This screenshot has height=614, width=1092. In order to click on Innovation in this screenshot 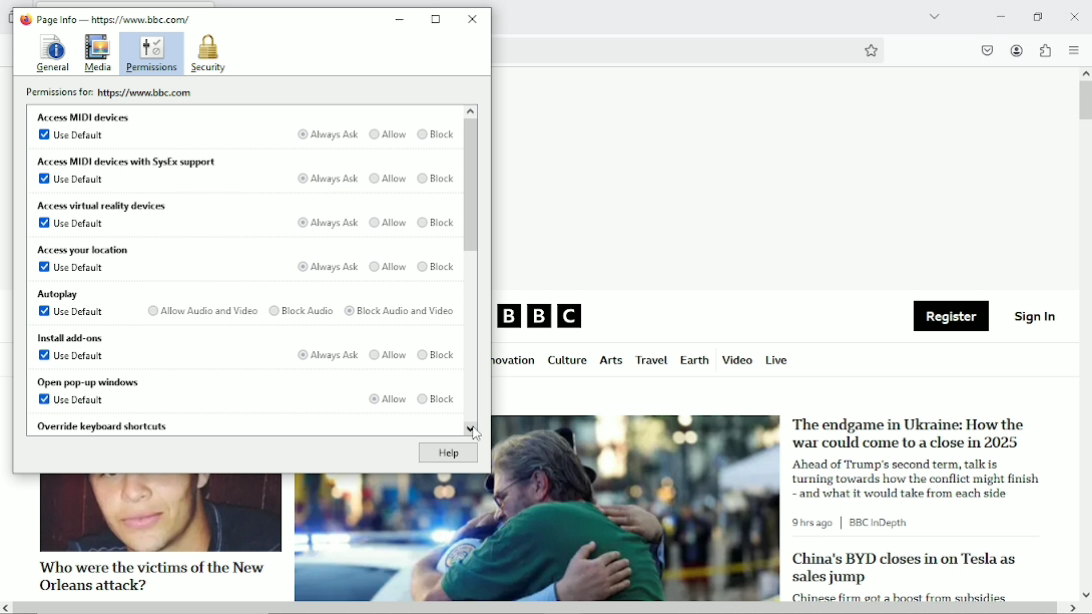, I will do `click(515, 361)`.